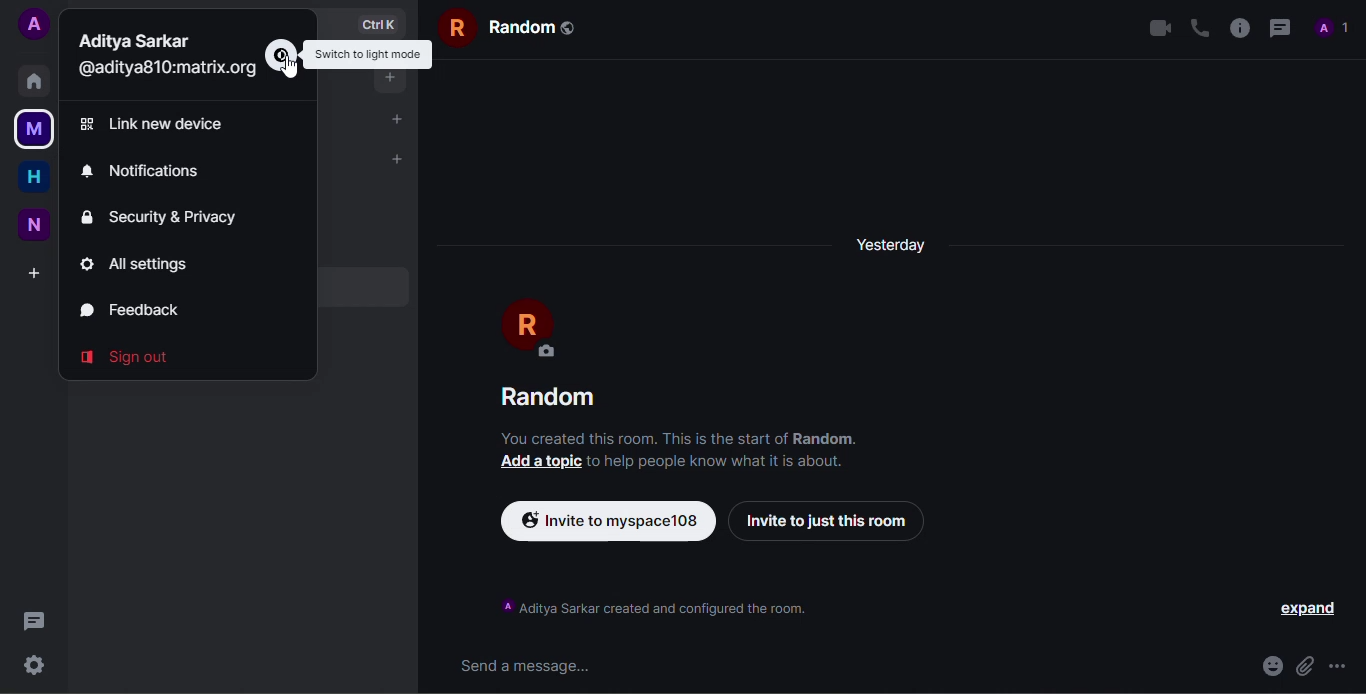 This screenshot has width=1366, height=694. I want to click on add, so click(395, 85).